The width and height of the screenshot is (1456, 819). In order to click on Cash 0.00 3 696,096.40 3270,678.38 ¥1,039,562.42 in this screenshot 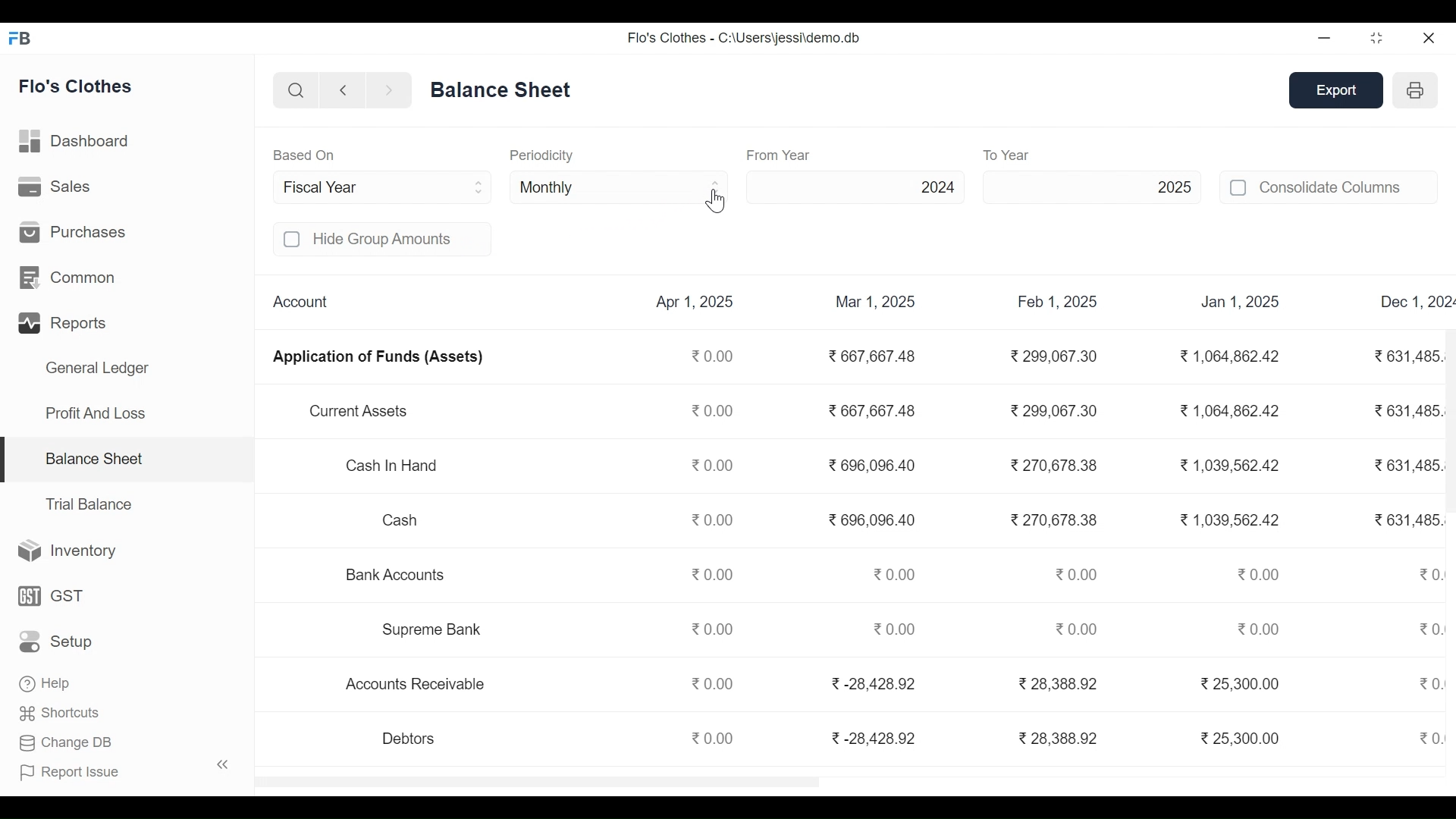, I will do `click(808, 522)`.